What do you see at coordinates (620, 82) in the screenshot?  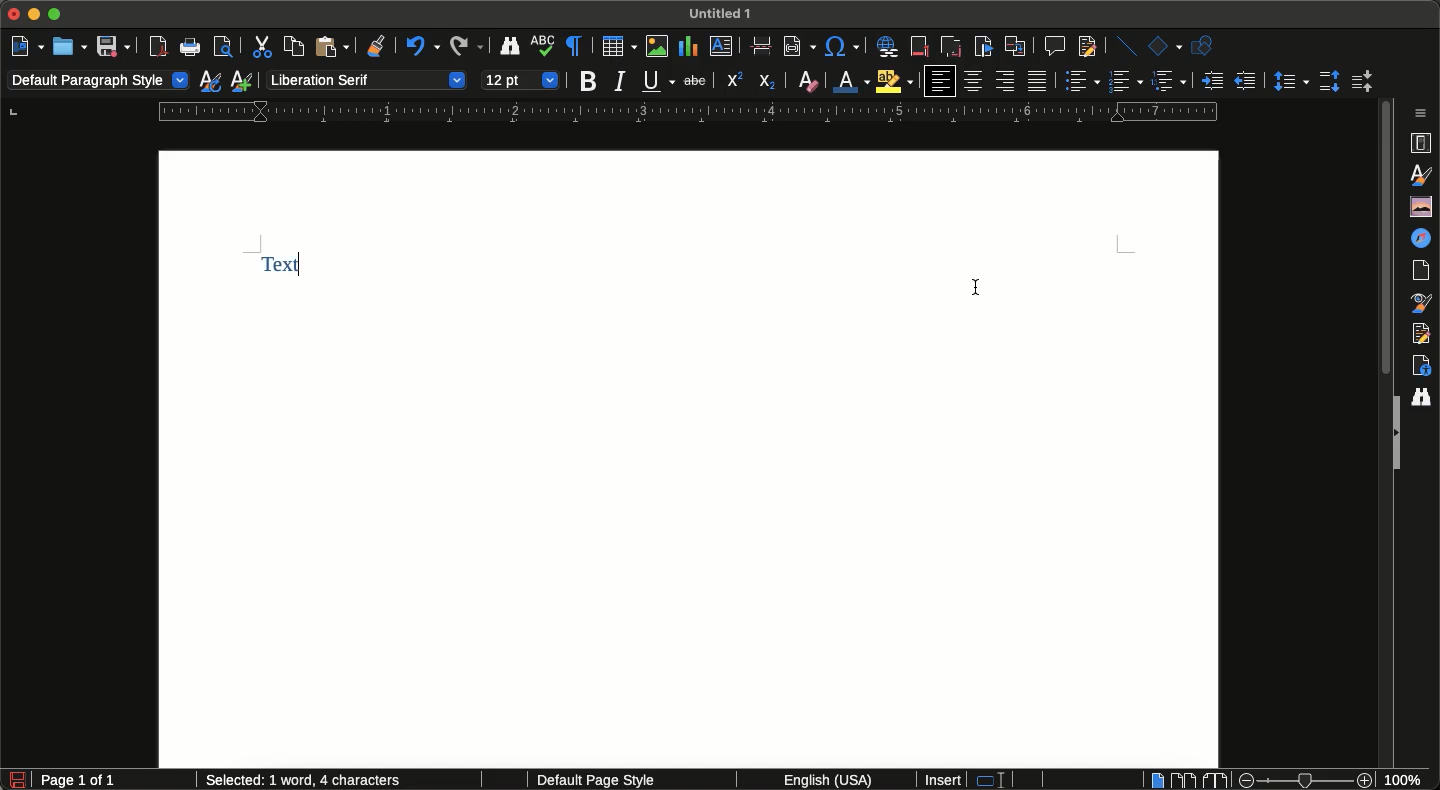 I see `Italics` at bounding box center [620, 82].